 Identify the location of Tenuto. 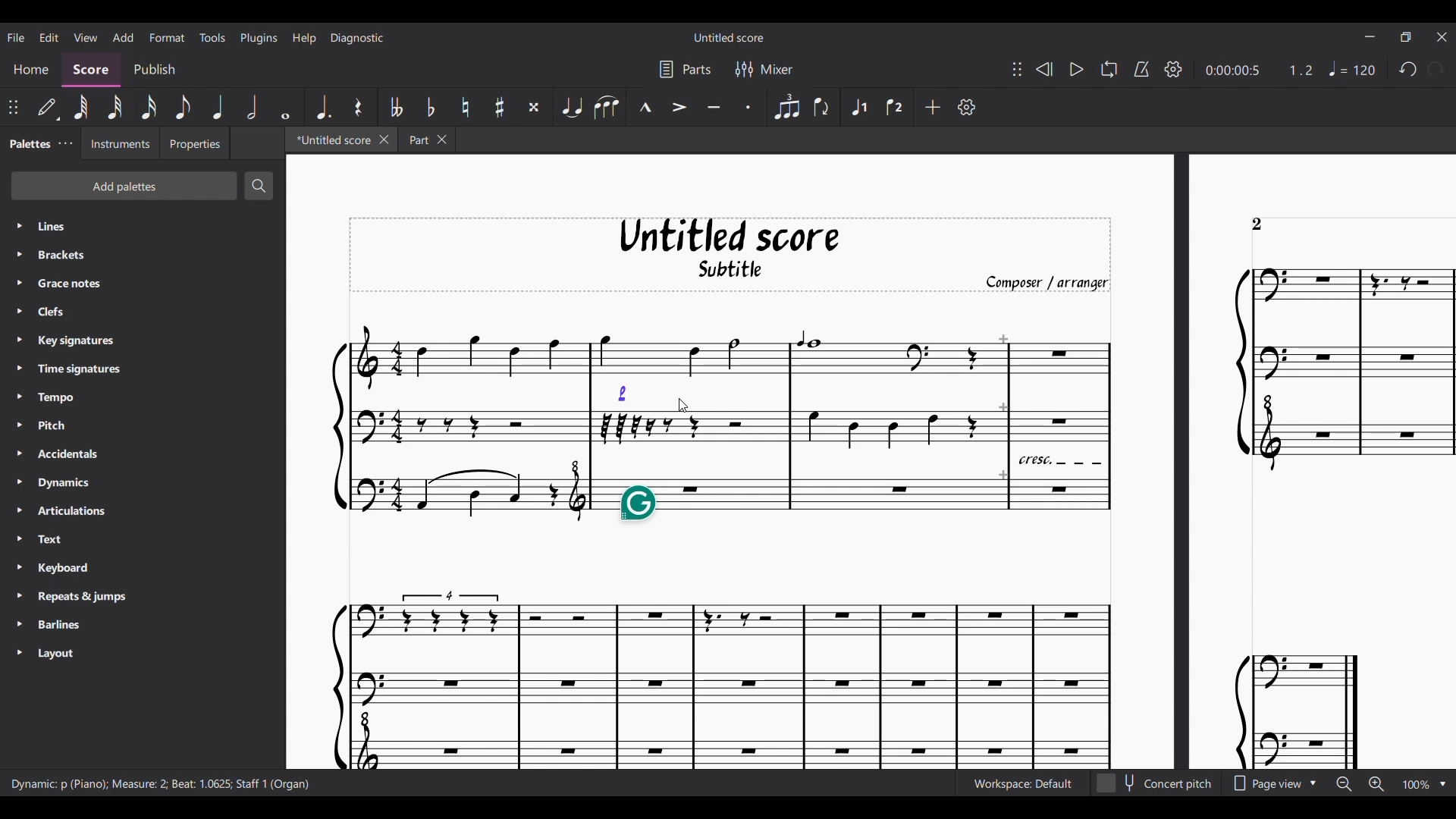
(714, 106).